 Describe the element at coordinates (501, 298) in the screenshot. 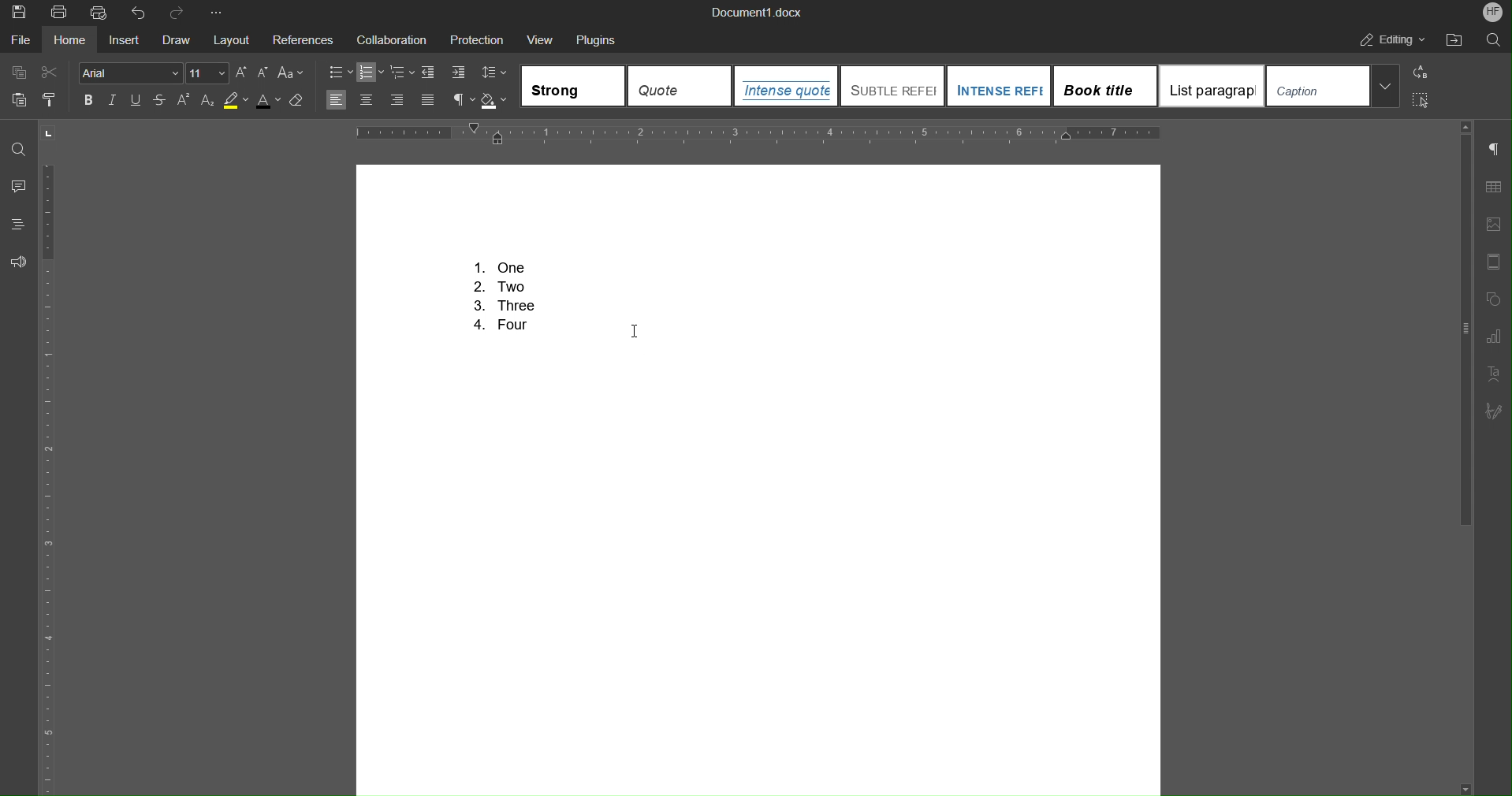

I see `Numbered List` at that location.